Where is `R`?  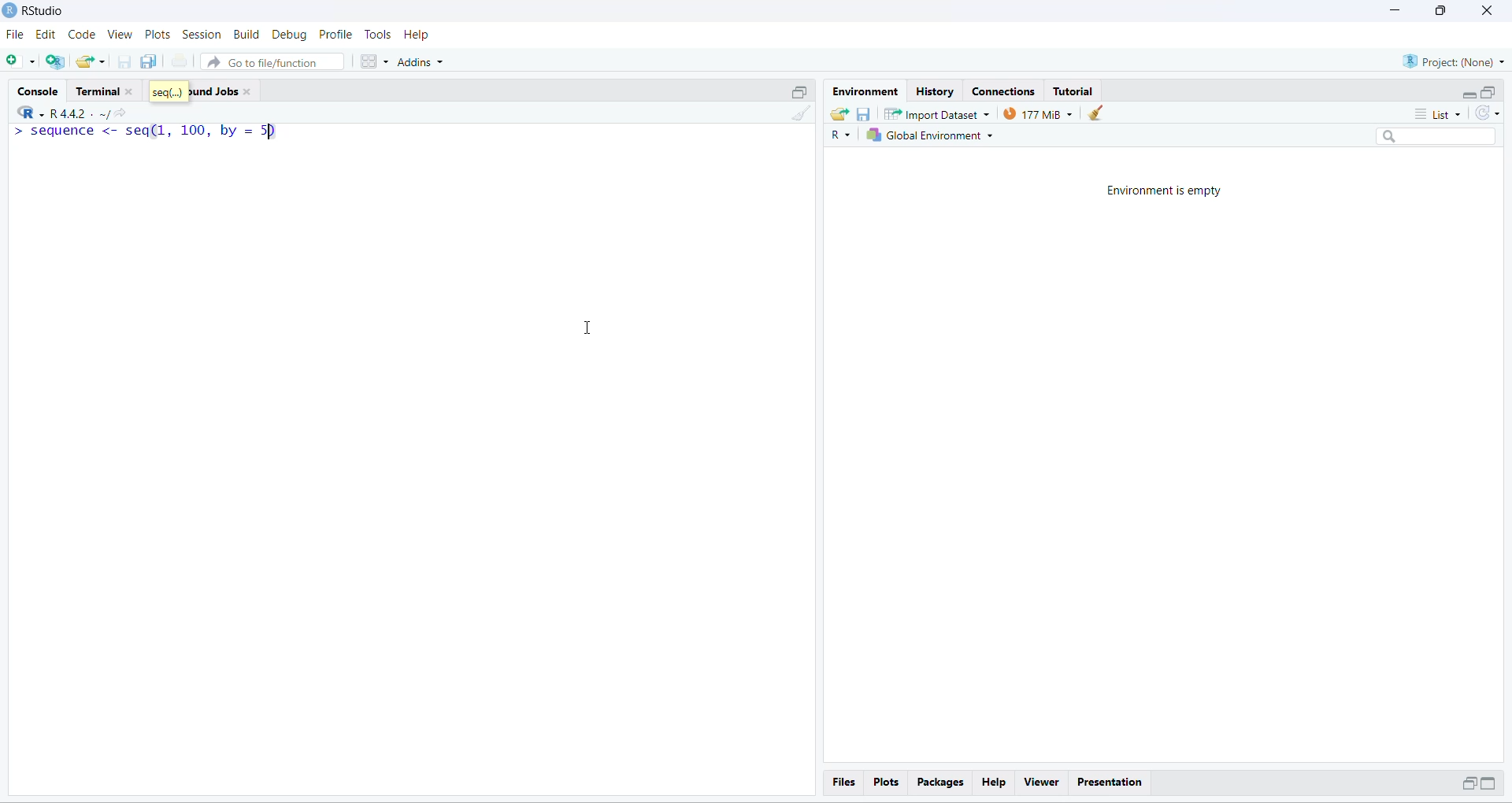
R is located at coordinates (30, 111).